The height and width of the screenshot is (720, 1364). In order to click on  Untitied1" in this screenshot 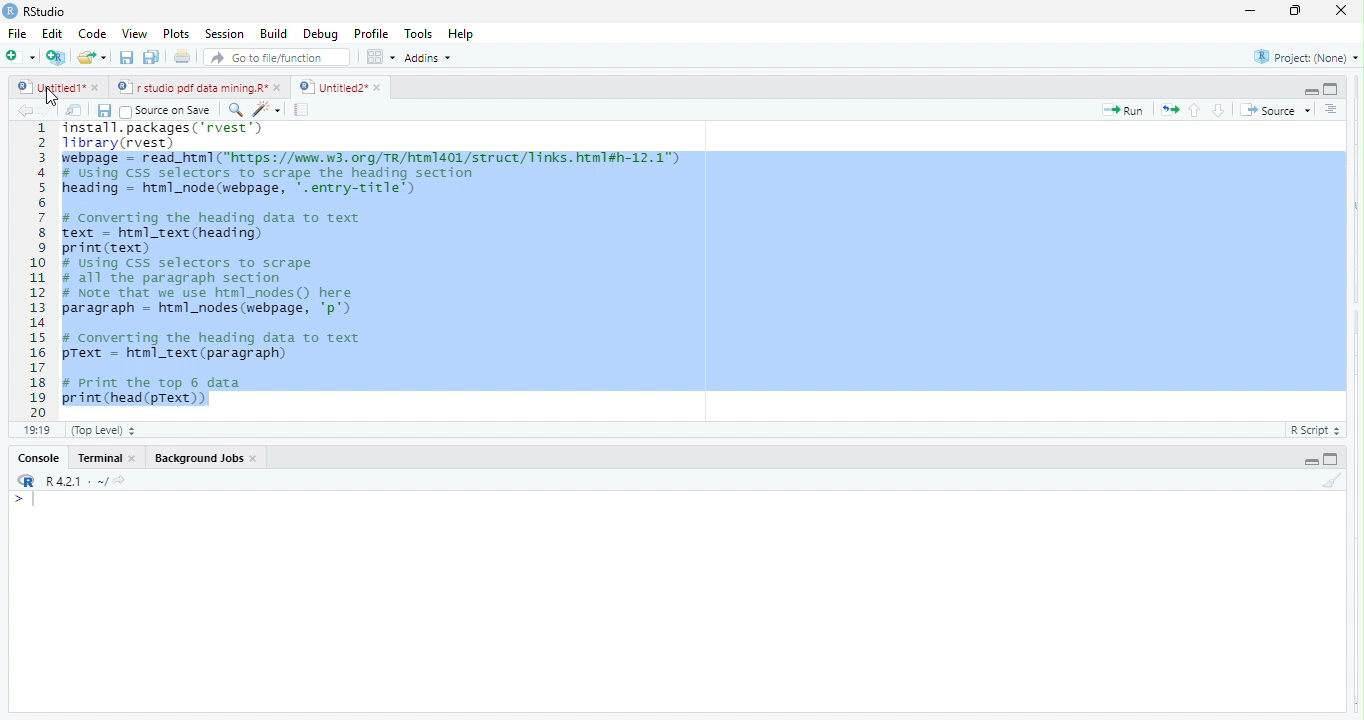, I will do `click(47, 87)`.